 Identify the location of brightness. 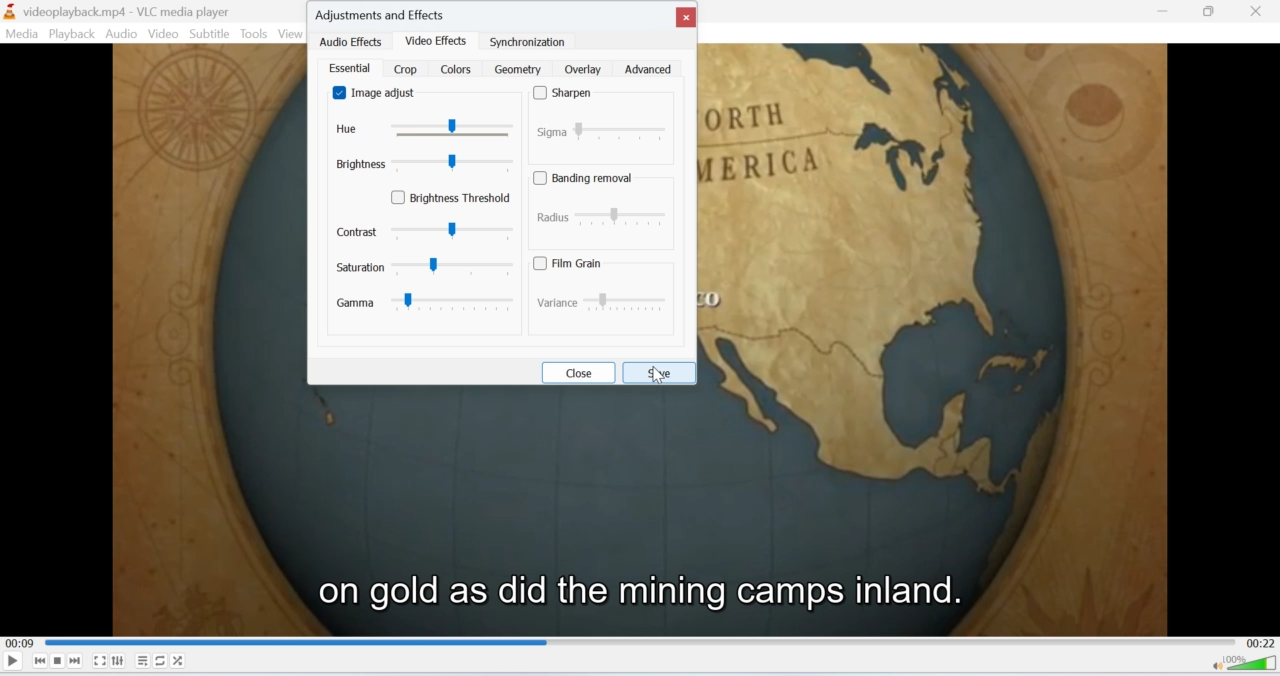
(419, 164).